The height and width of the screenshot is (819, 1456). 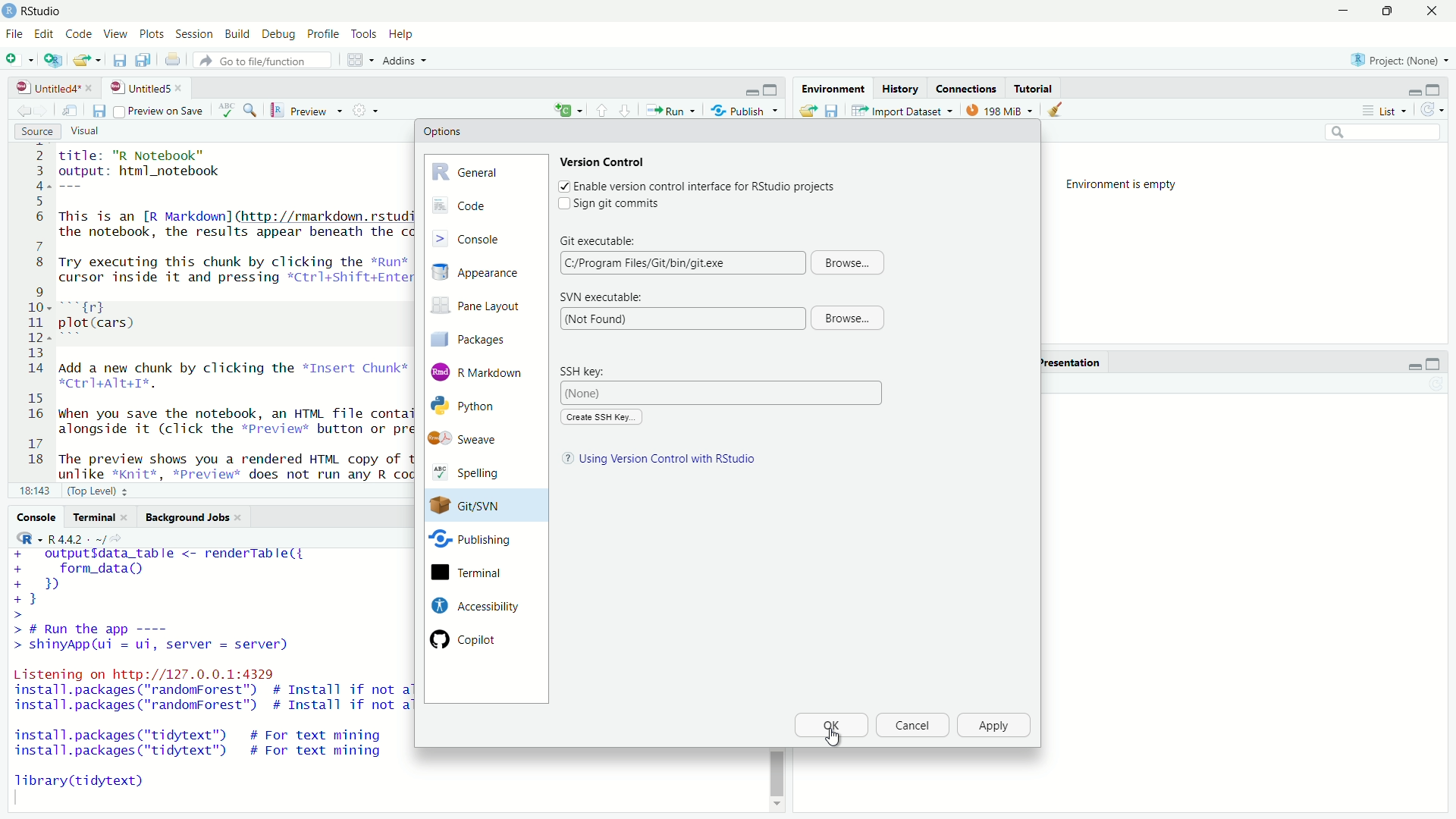 I want to click on Background Jobs, so click(x=194, y=518).